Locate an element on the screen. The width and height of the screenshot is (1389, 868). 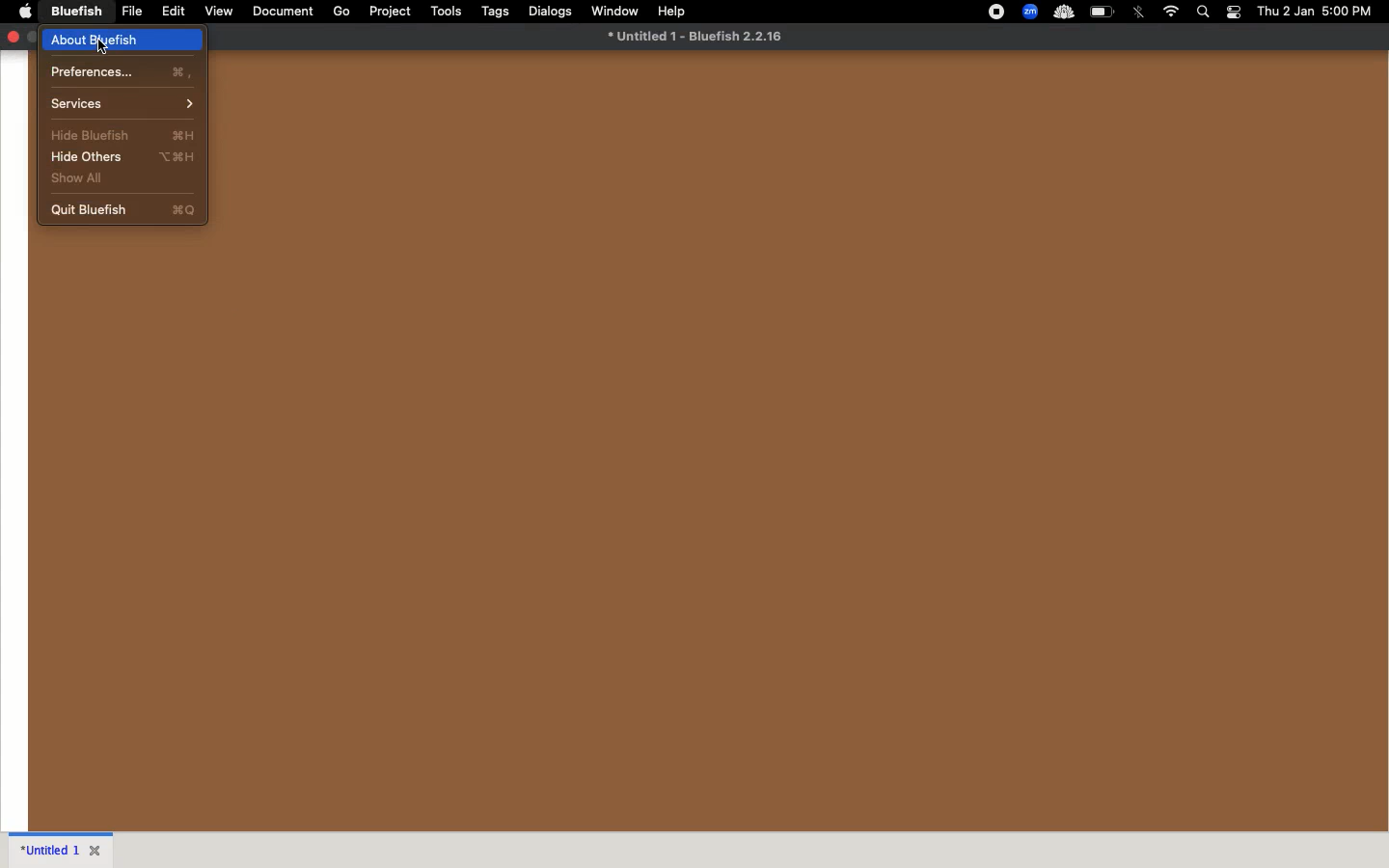
notification is located at coordinates (1234, 12).